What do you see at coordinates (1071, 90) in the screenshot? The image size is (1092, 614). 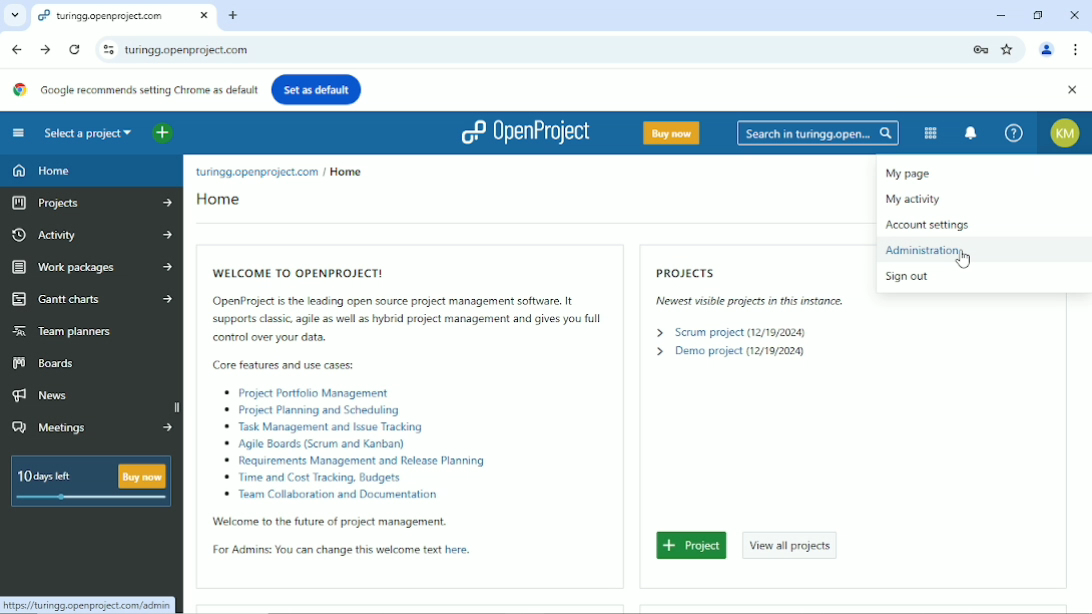 I see `Close` at bounding box center [1071, 90].